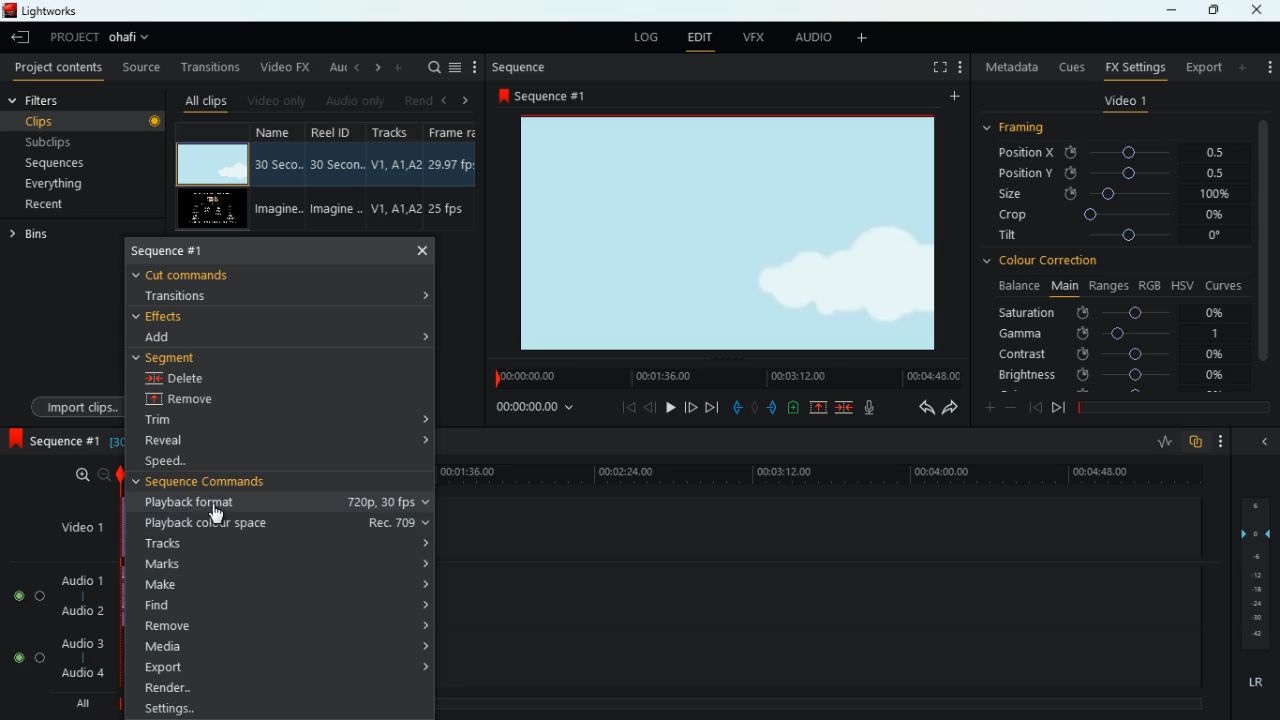  I want to click on front, so click(1058, 409).